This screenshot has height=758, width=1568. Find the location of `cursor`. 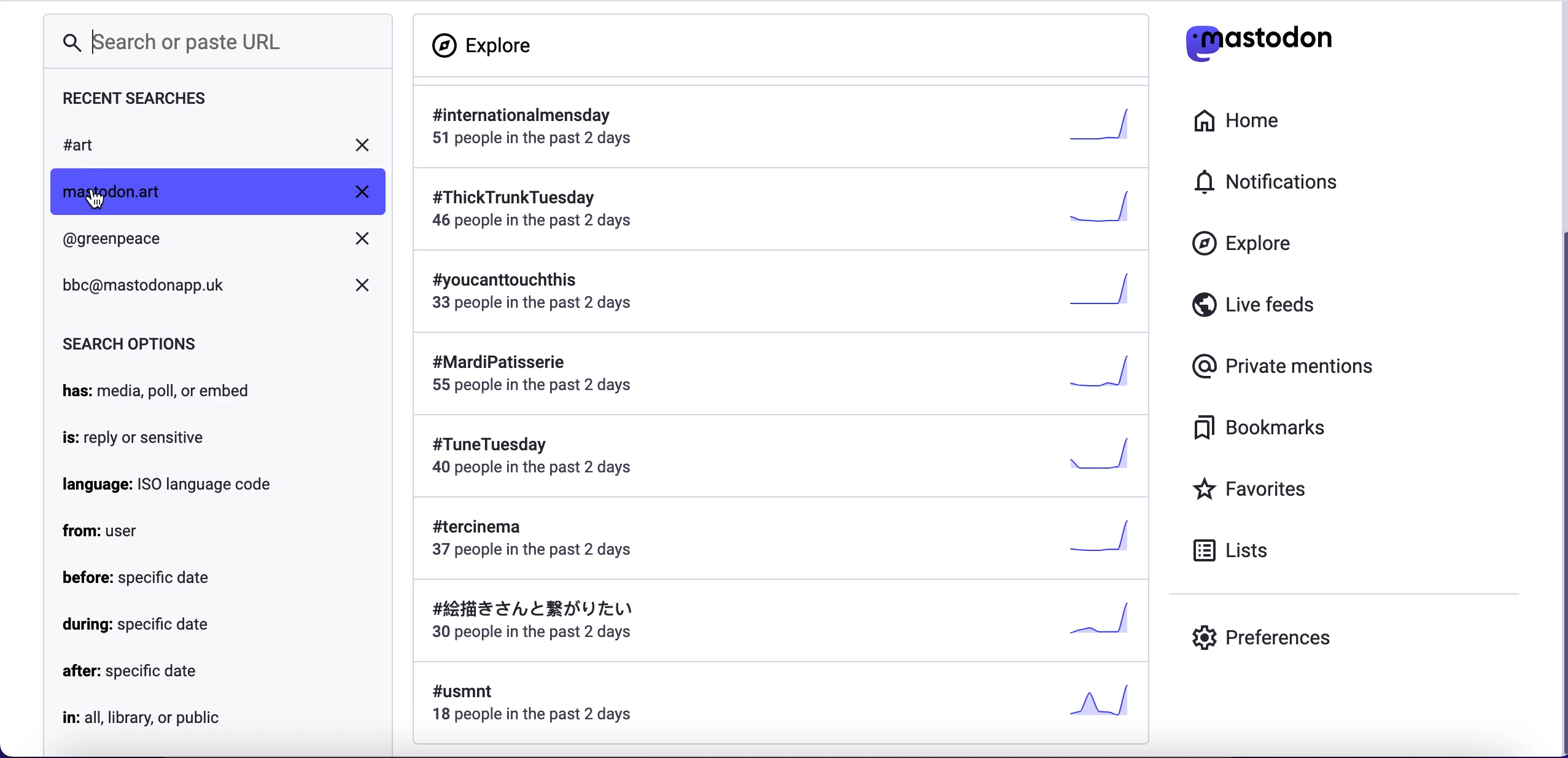

cursor is located at coordinates (94, 198).